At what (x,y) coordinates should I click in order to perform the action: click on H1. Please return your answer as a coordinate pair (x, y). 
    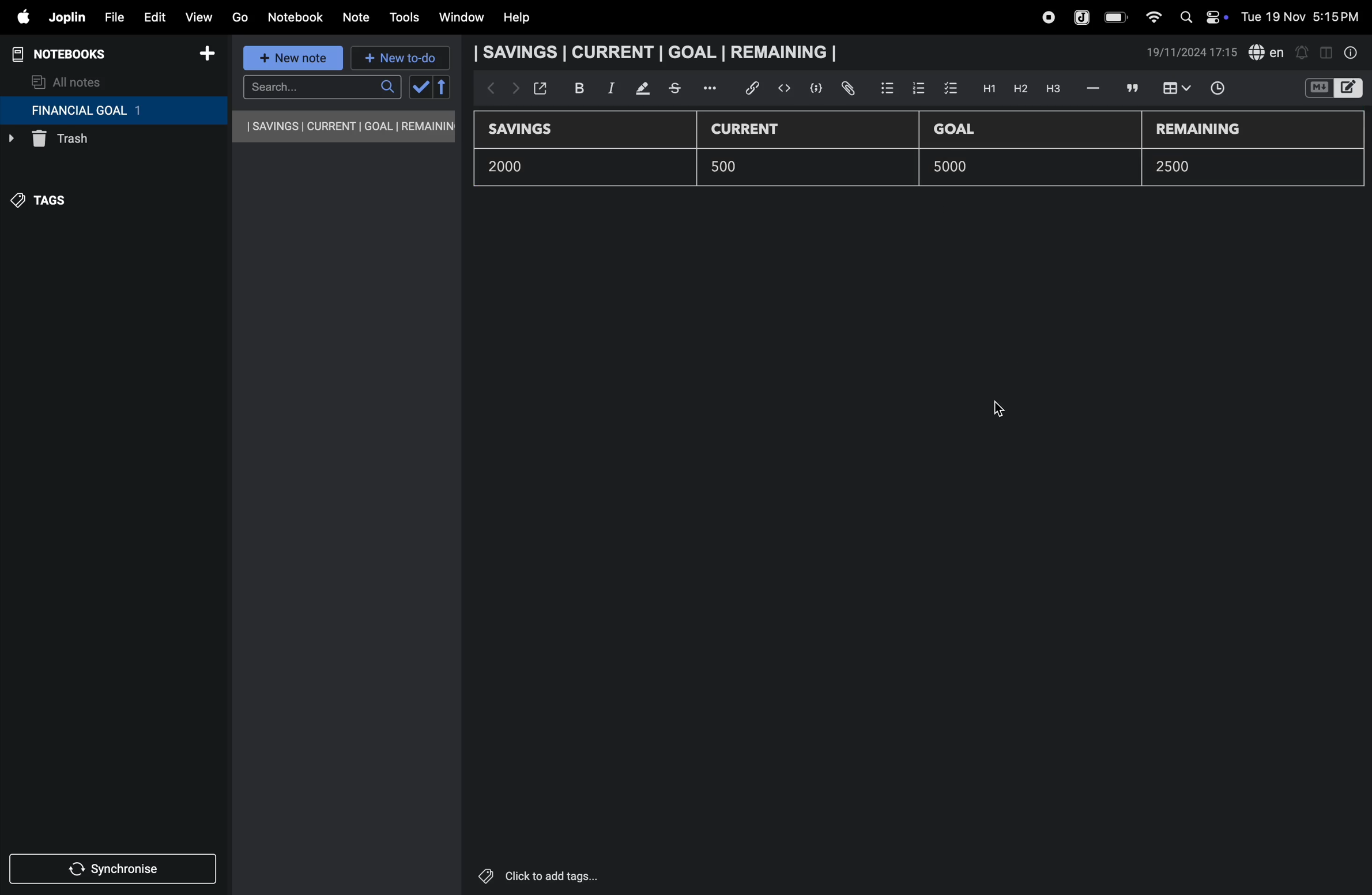
    Looking at the image, I should click on (987, 89).